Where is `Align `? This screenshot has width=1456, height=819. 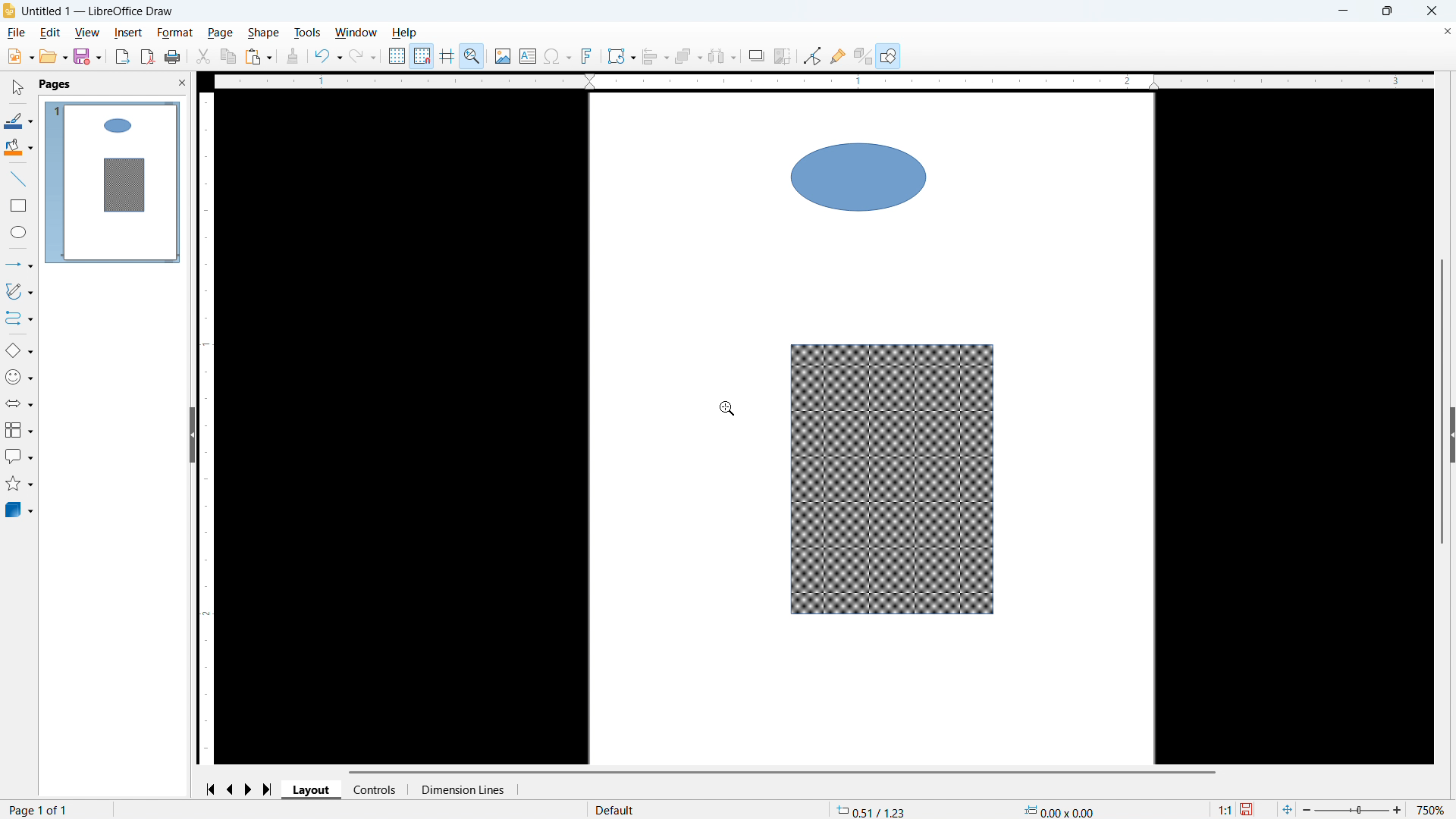
Align  is located at coordinates (655, 56).